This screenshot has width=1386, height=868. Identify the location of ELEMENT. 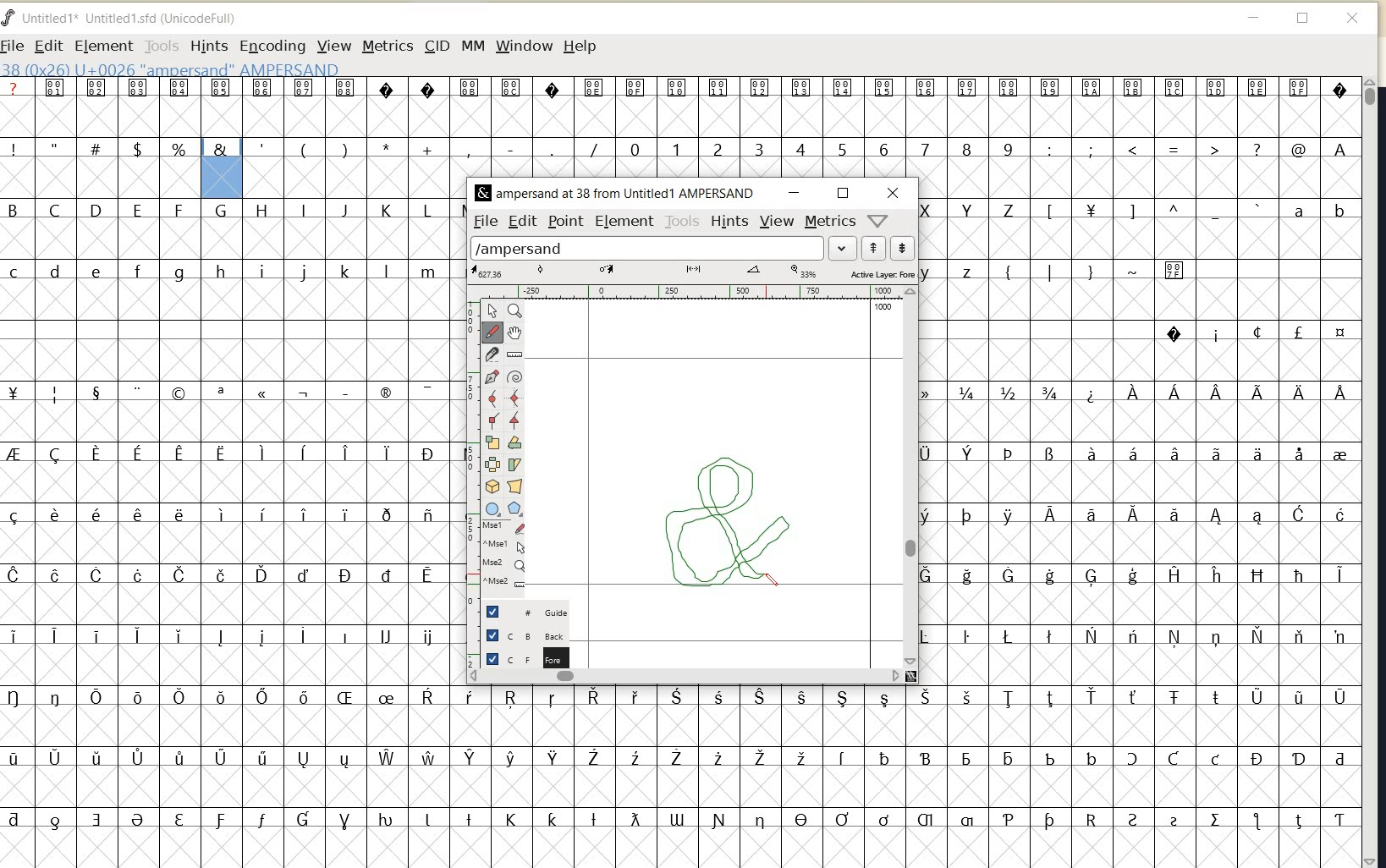
(624, 222).